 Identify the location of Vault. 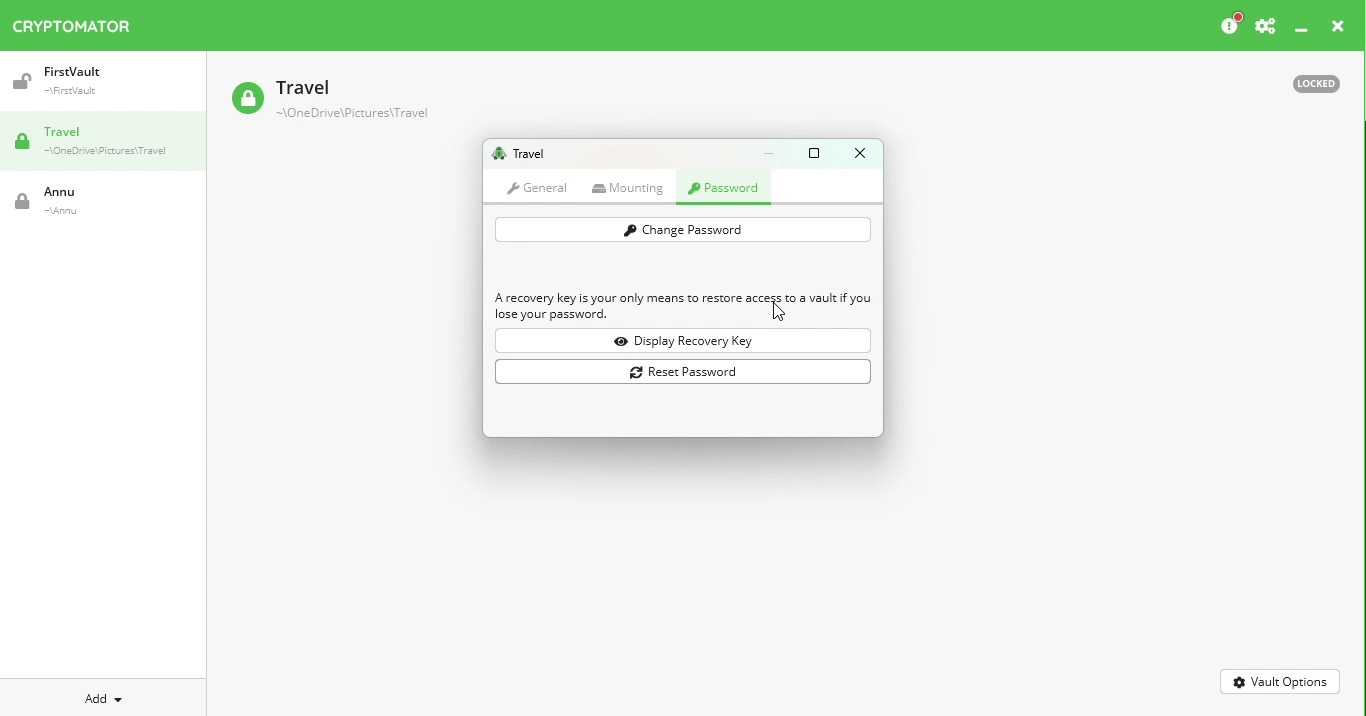
(329, 101).